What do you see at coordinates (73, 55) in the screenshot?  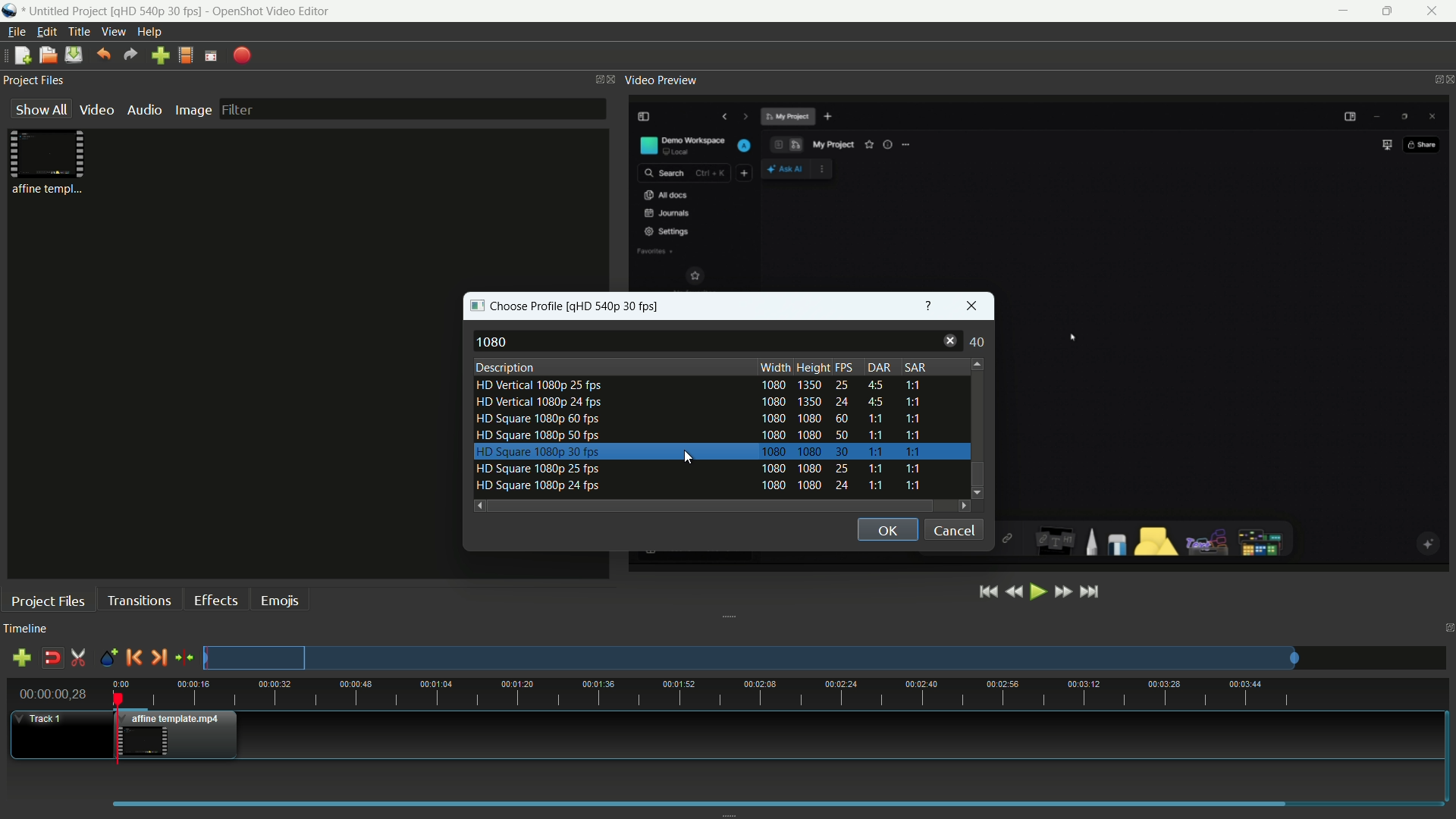 I see `save file` at bounding box center [73, 55].